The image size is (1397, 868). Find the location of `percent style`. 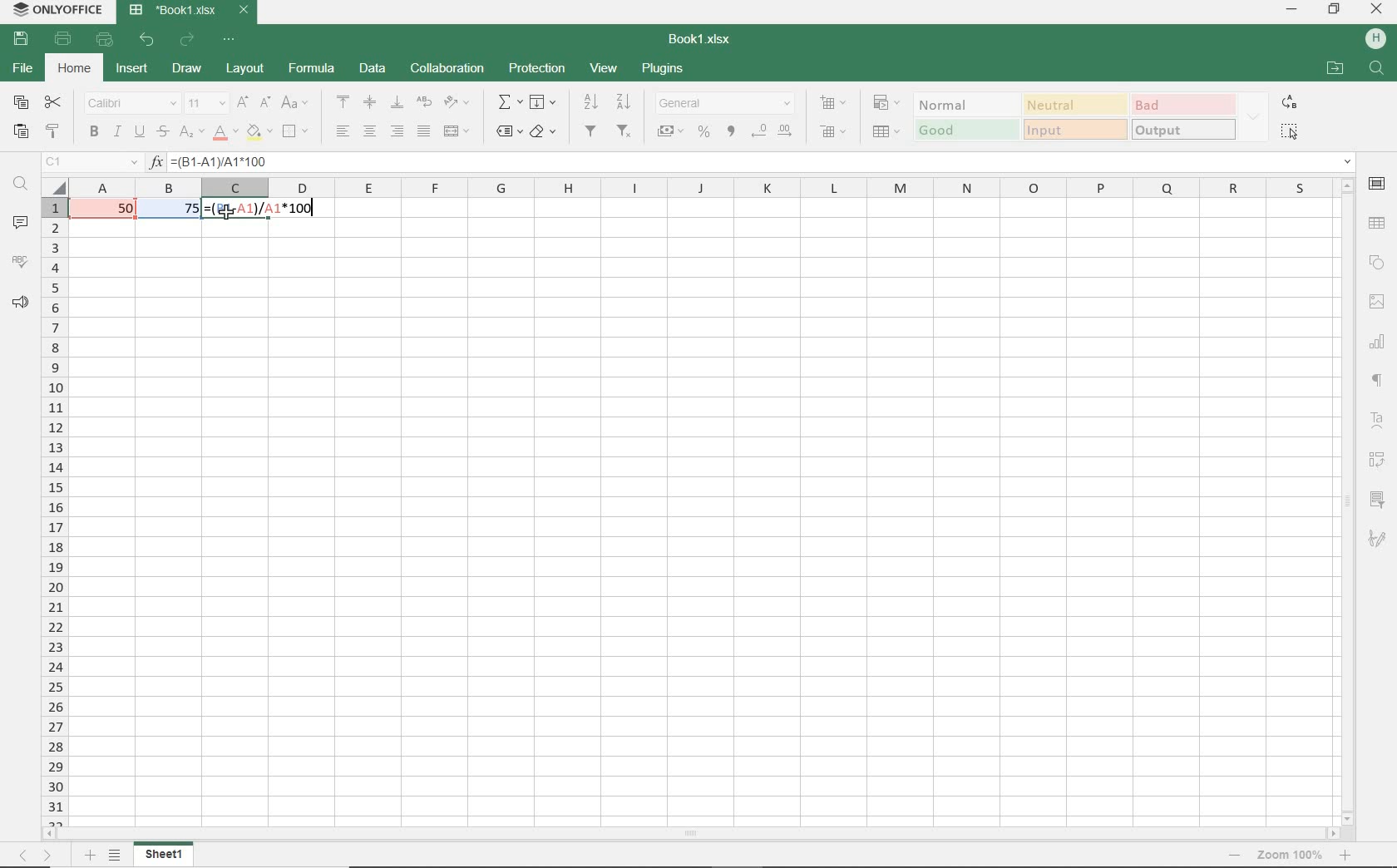

percent style is located at coordinates (705, 133).